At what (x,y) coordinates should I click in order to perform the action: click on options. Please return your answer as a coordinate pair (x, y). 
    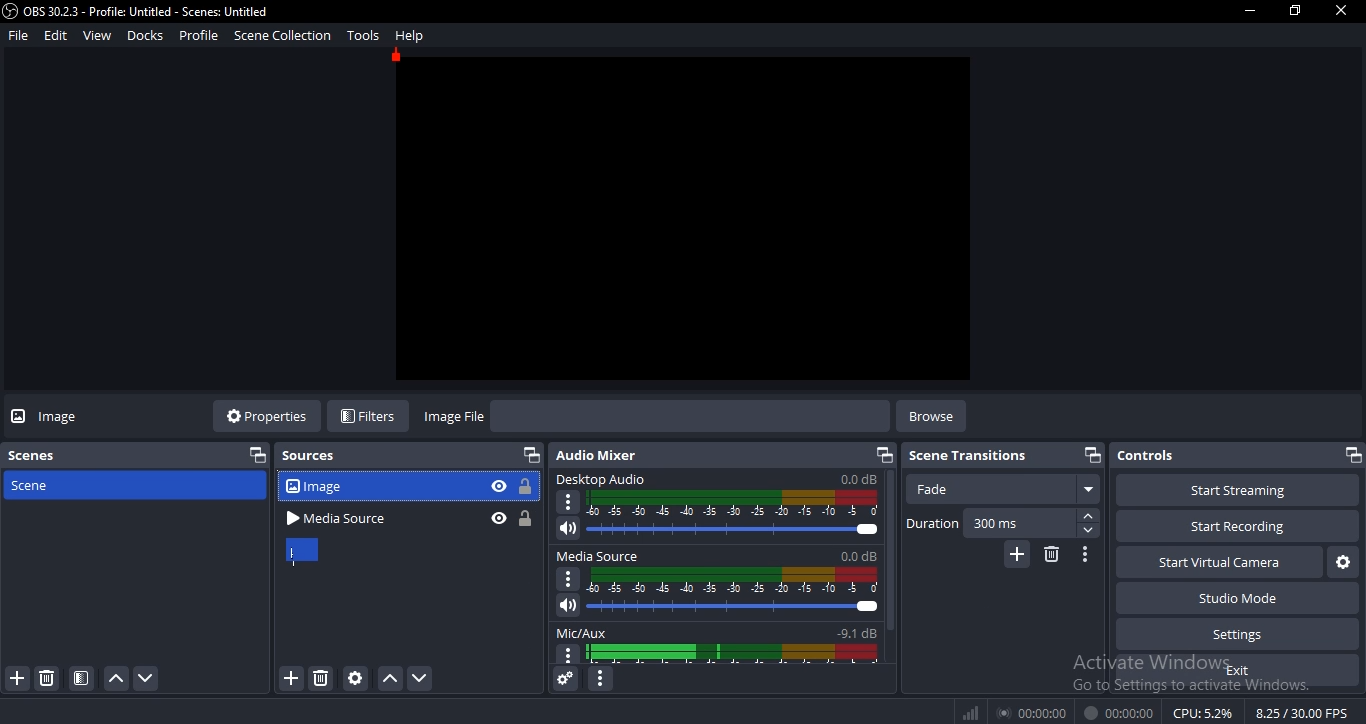
    Looking at the image, I should click on (569, 655).